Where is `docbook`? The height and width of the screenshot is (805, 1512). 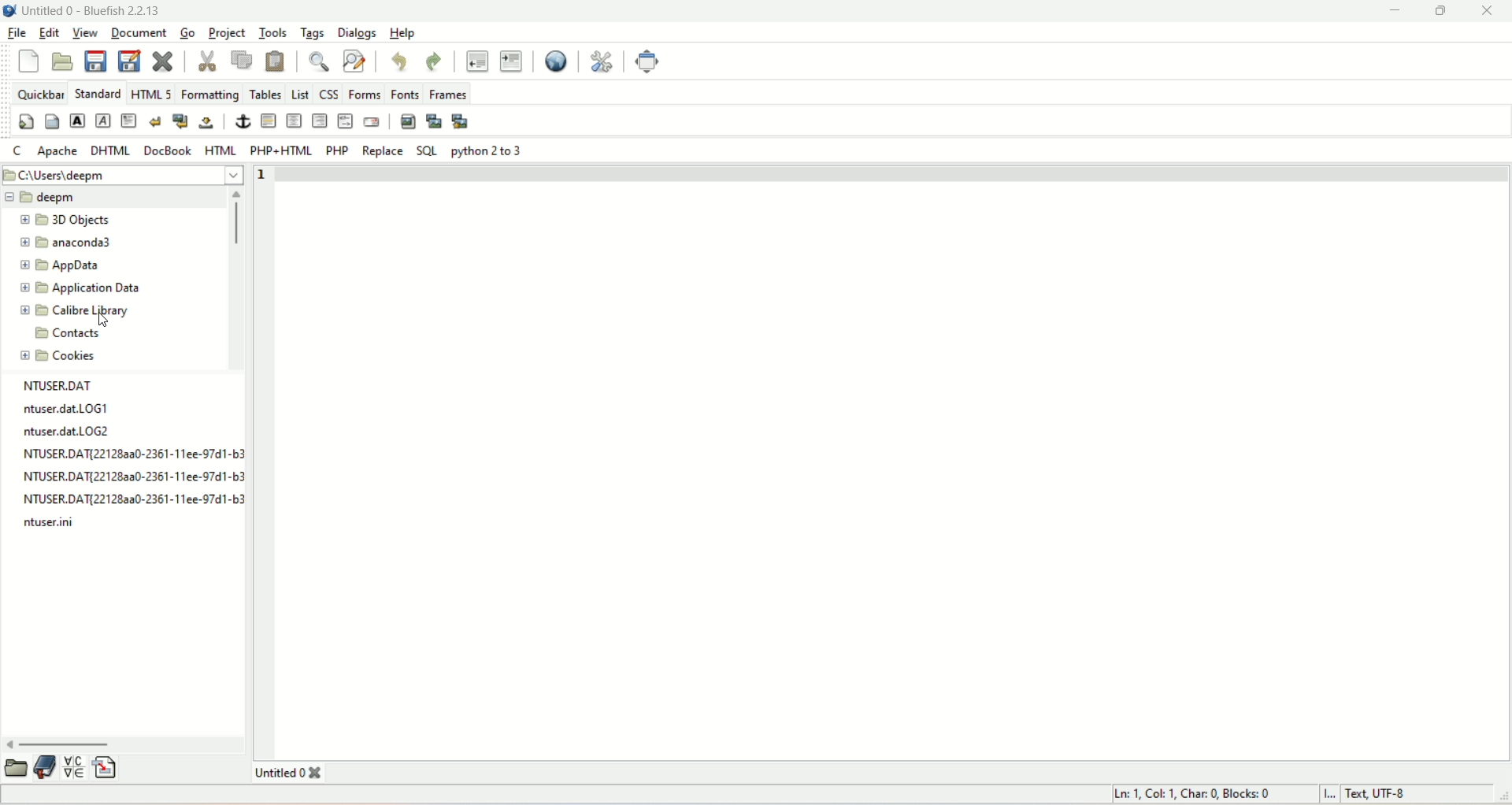
docbook is located at coordinates (168, 150).